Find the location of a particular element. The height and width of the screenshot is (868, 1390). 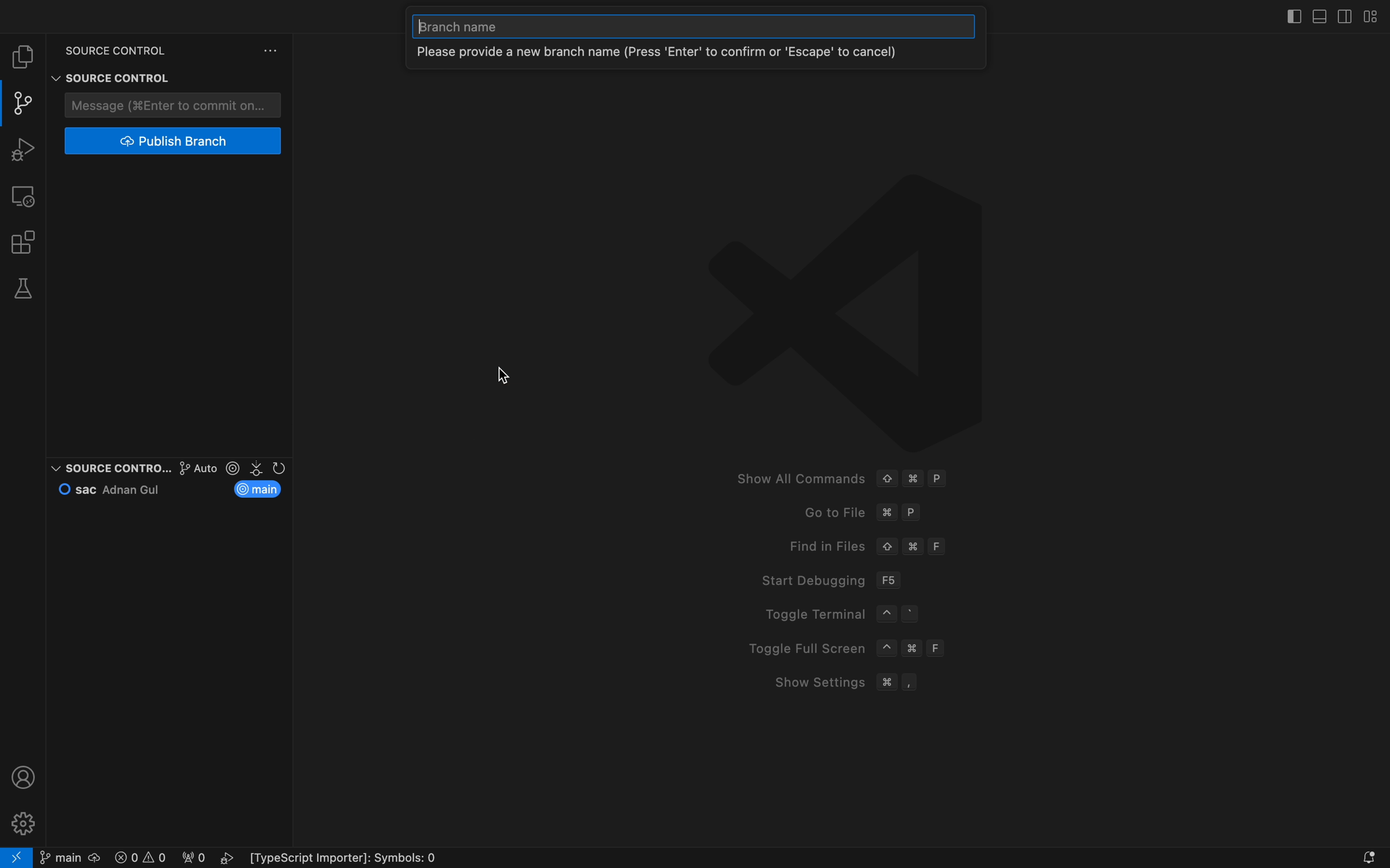

toggle bar is located at coordinates (1289, 14).